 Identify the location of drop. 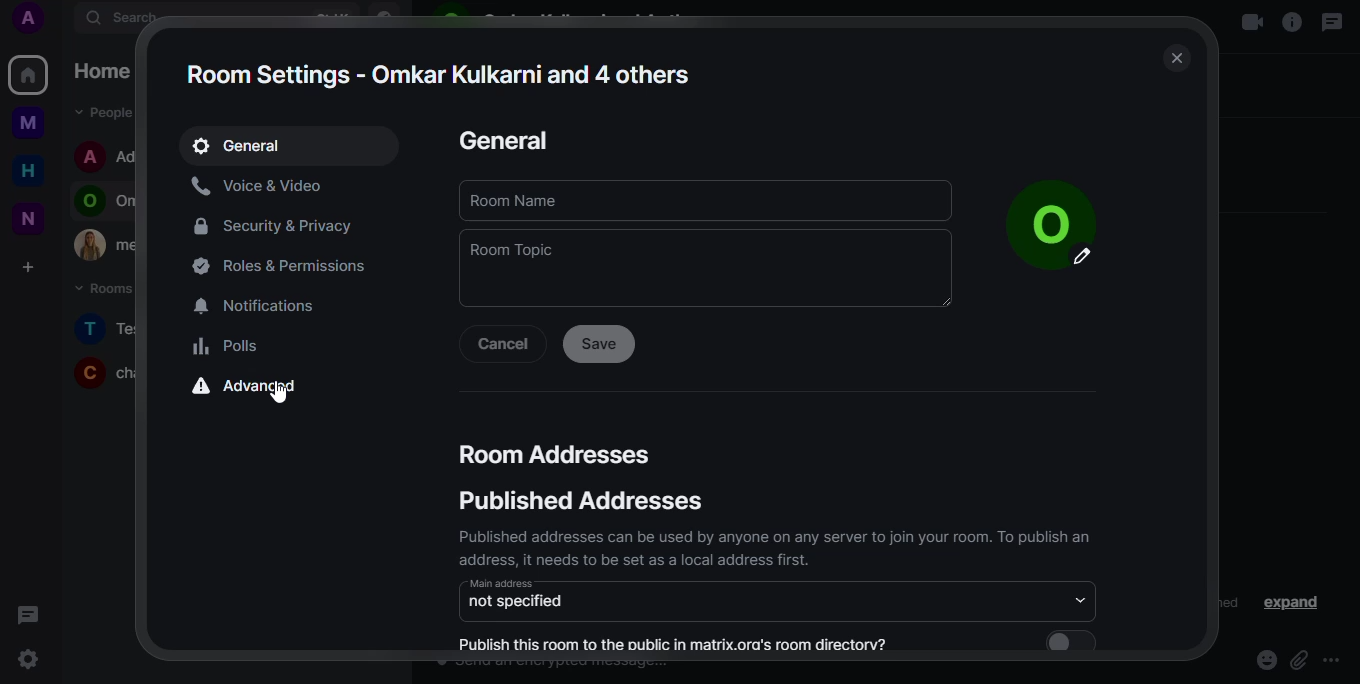
(1082, 599).